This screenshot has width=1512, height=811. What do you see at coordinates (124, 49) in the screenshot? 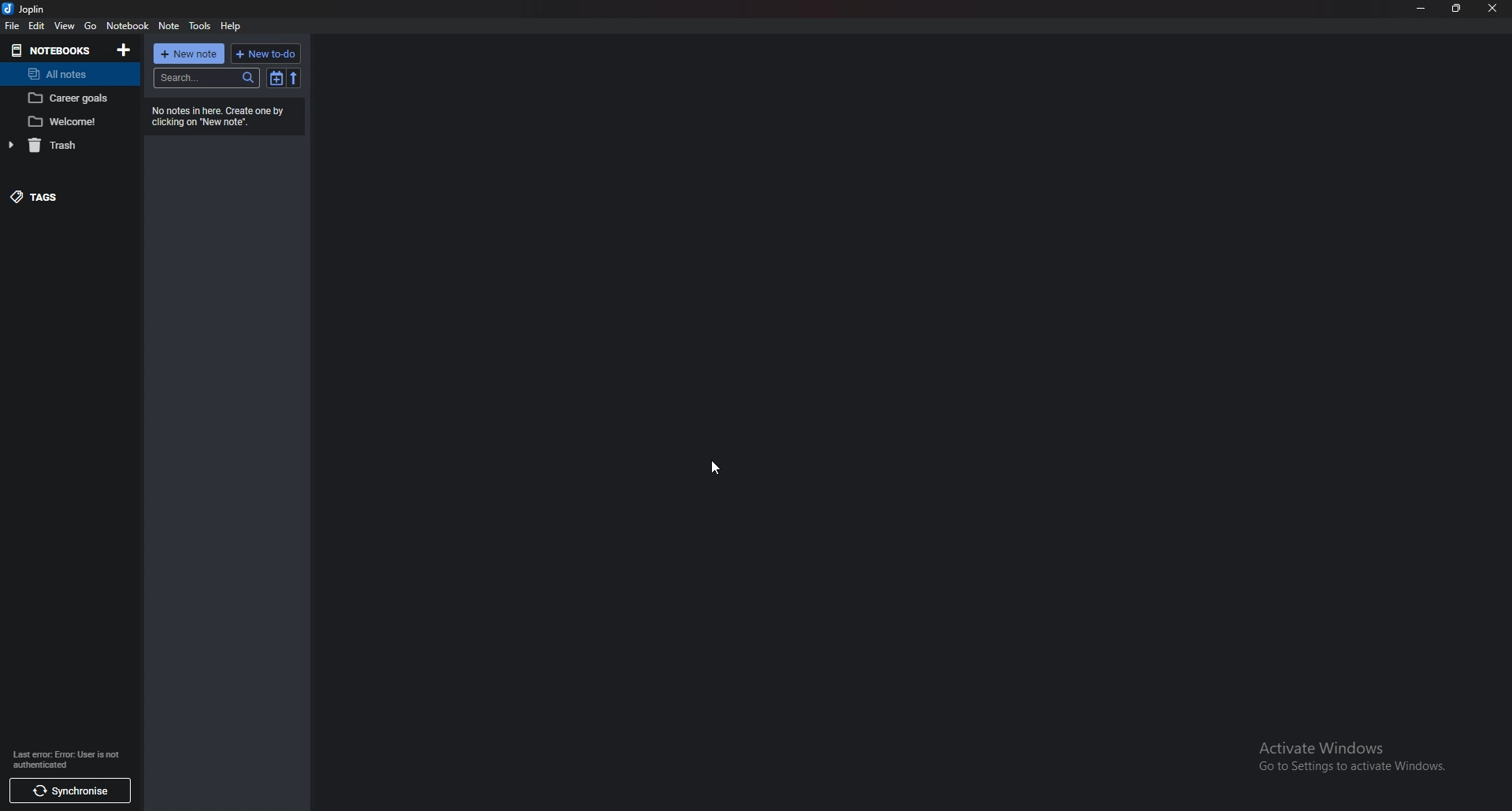
I see `Add notebooks` at bounding box center [124, 49].